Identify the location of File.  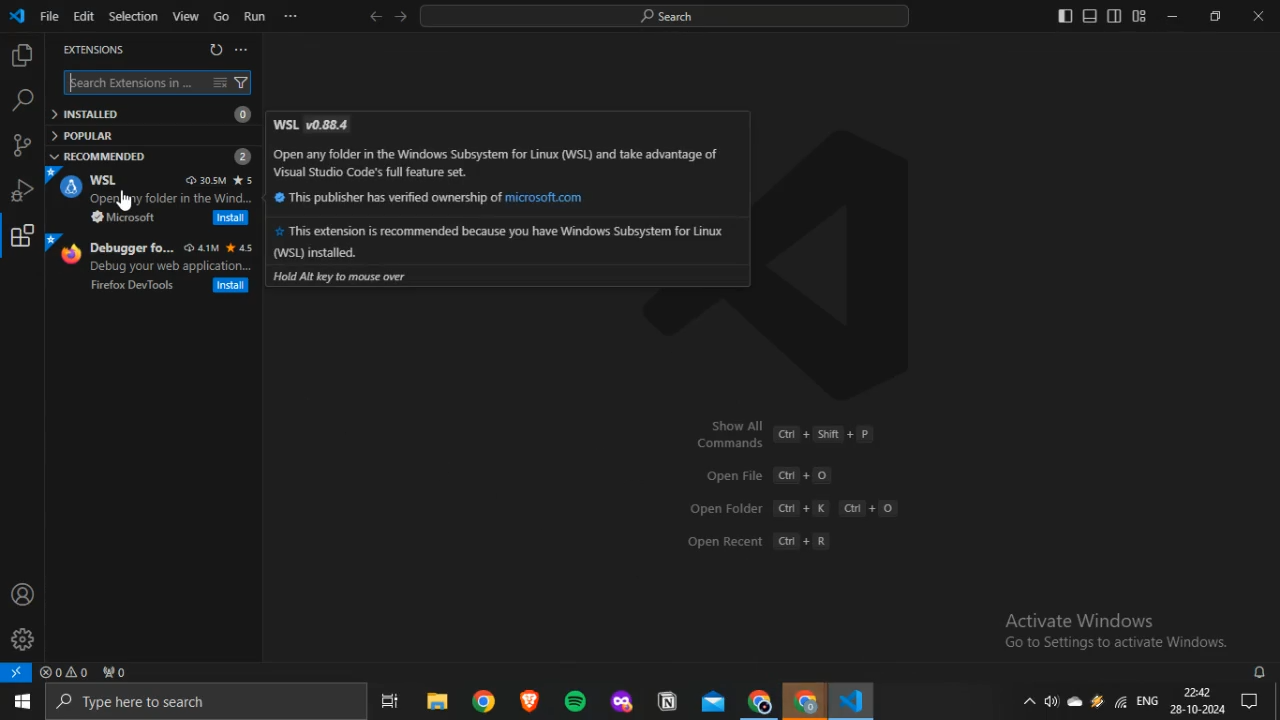
(49, 16).